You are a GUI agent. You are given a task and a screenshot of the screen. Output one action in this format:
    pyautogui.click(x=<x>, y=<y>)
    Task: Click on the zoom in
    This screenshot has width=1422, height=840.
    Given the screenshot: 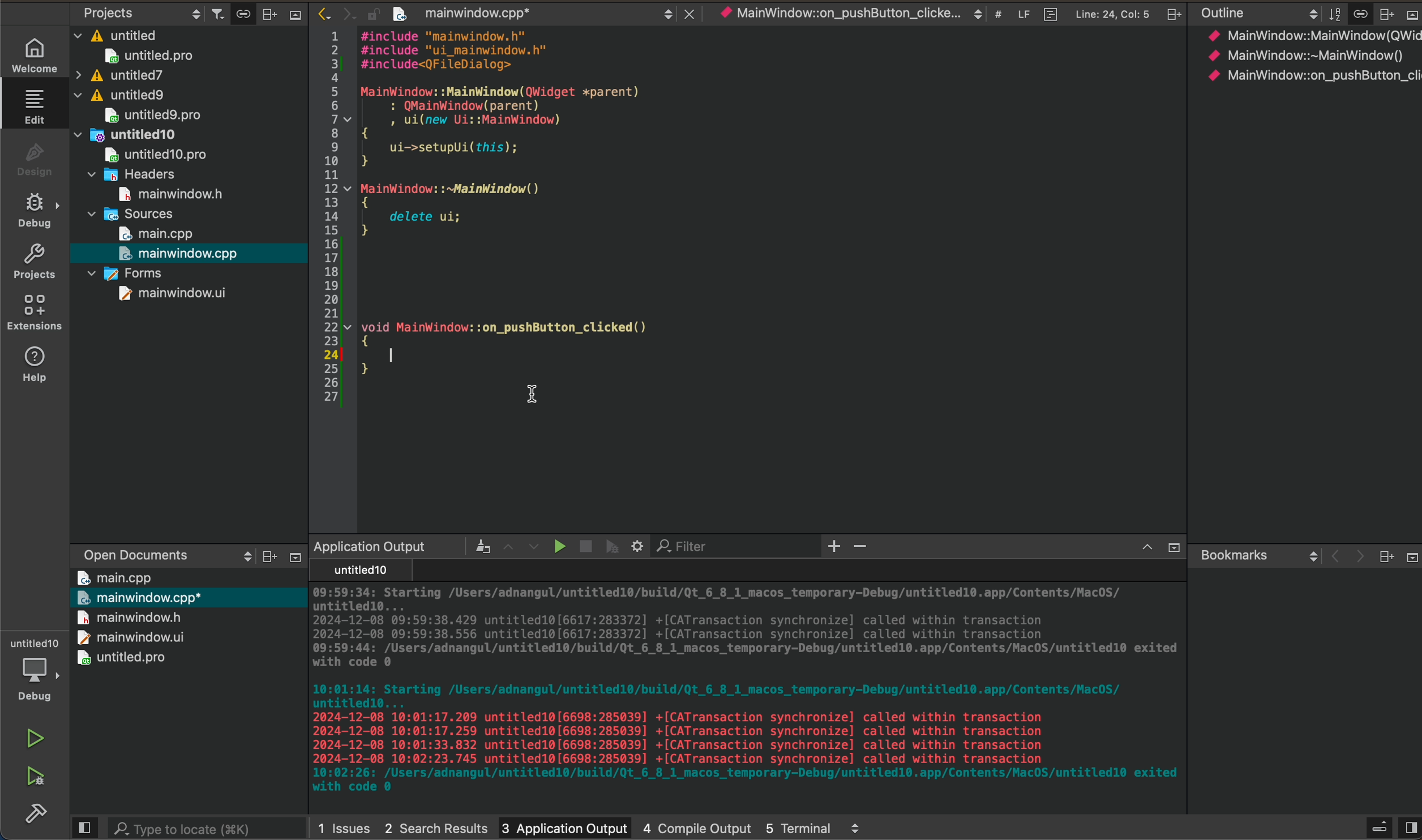 What is the action you would take?
    pyautogui.click(x=835, y=547)
    